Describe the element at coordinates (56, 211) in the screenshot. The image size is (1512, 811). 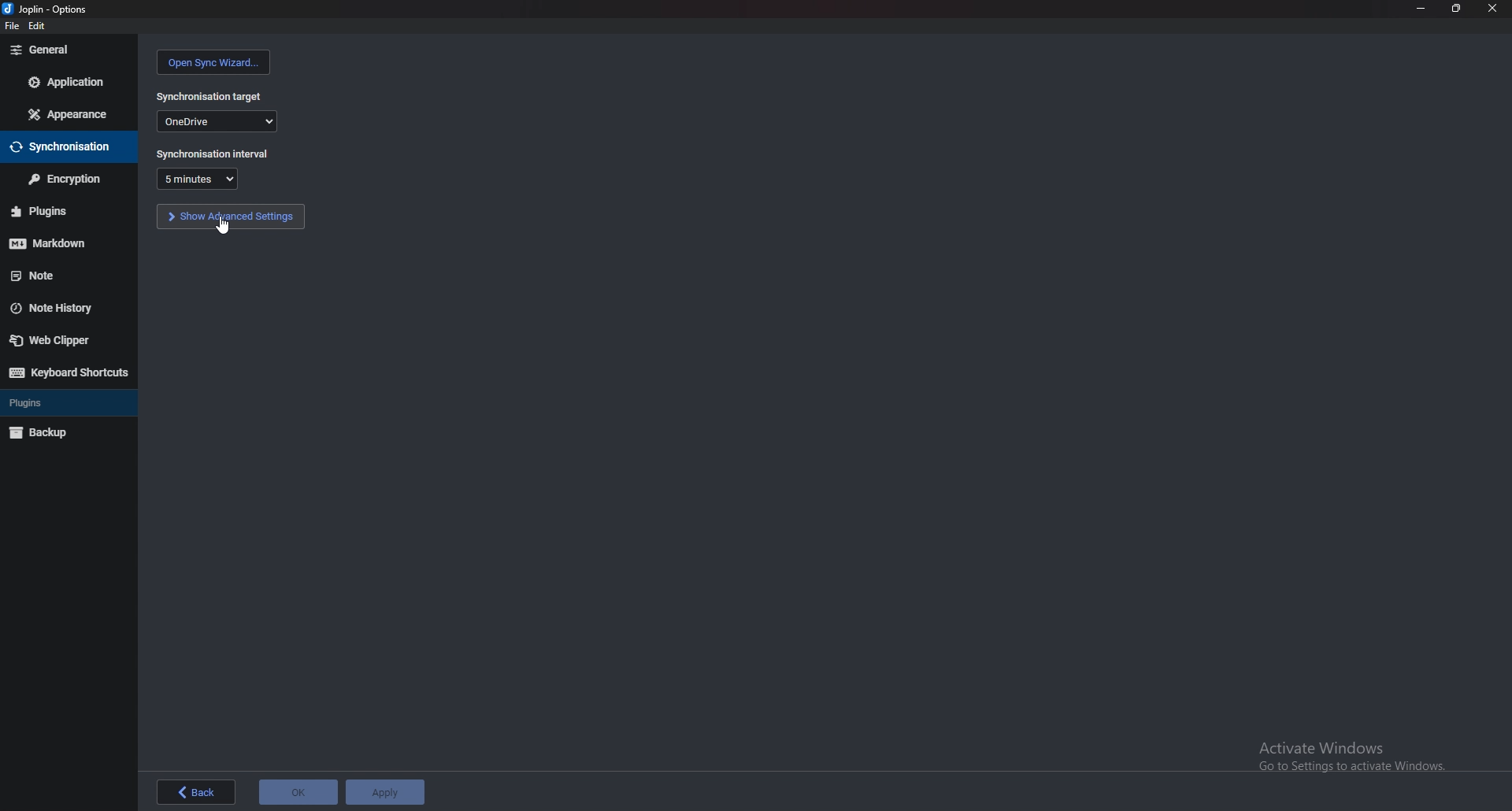
I see `plugins` at that location.